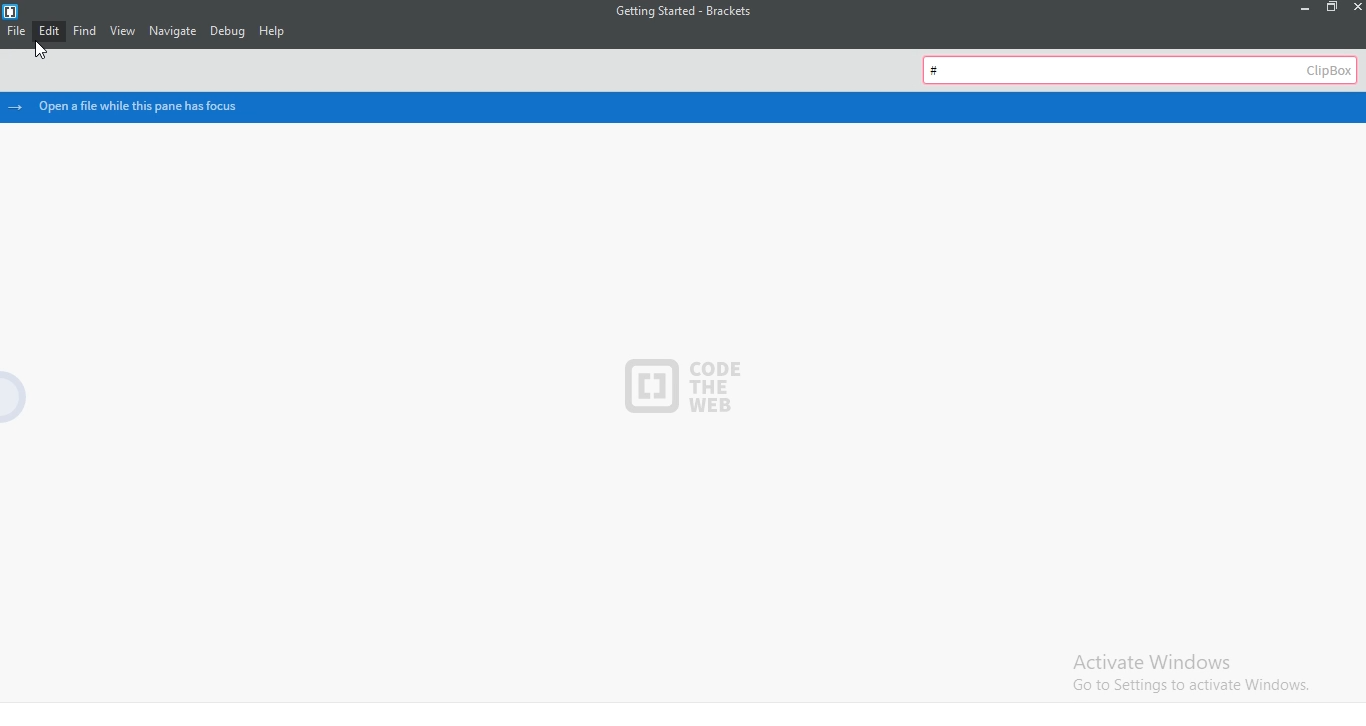 The height and width of the screenshot is (726, 1366). What do you see at coordinates (1142, 68) in the screenshot?
I see `clipbox` at bounding box center [1142, 68].